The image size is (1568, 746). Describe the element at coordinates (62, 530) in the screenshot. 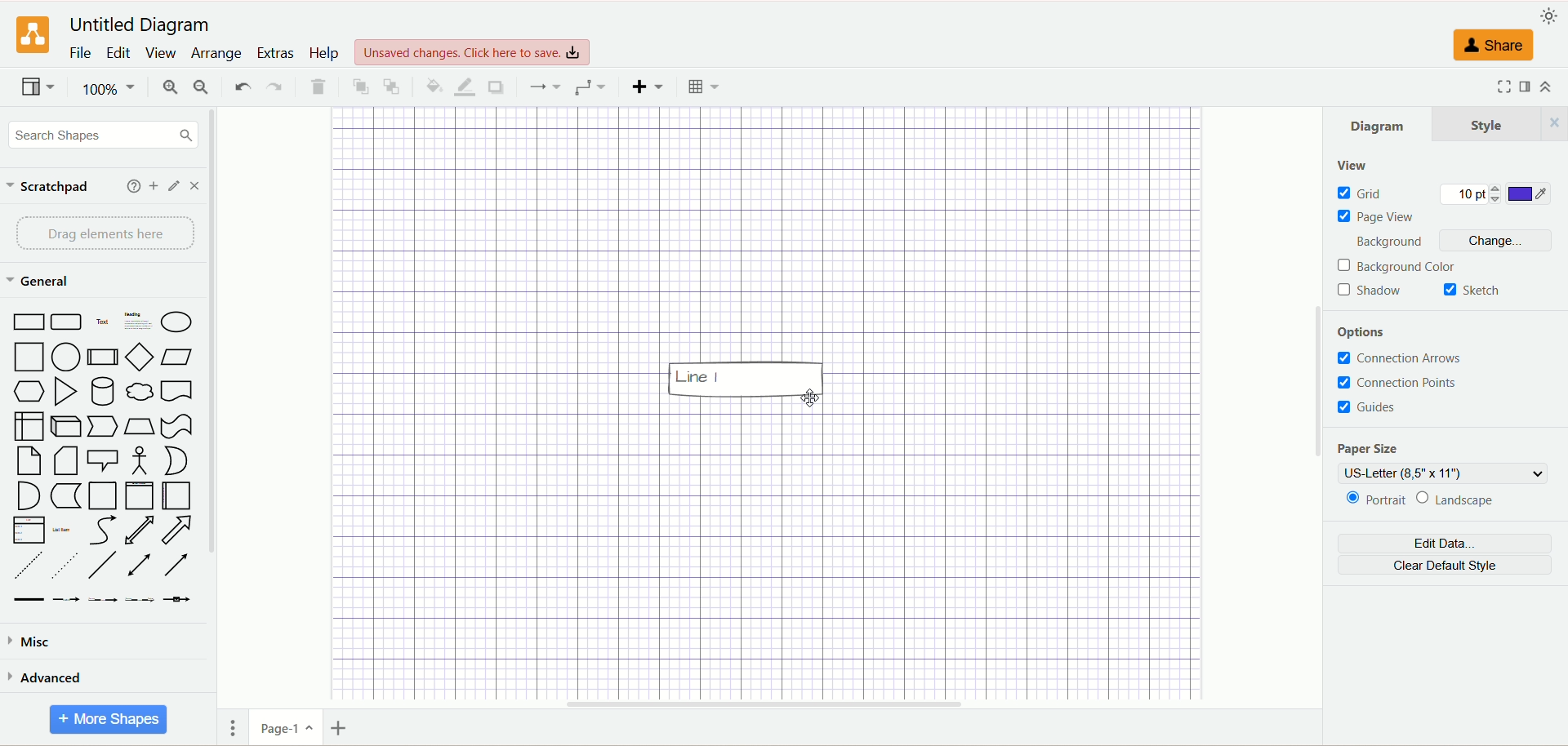

I see `List item` at that location.